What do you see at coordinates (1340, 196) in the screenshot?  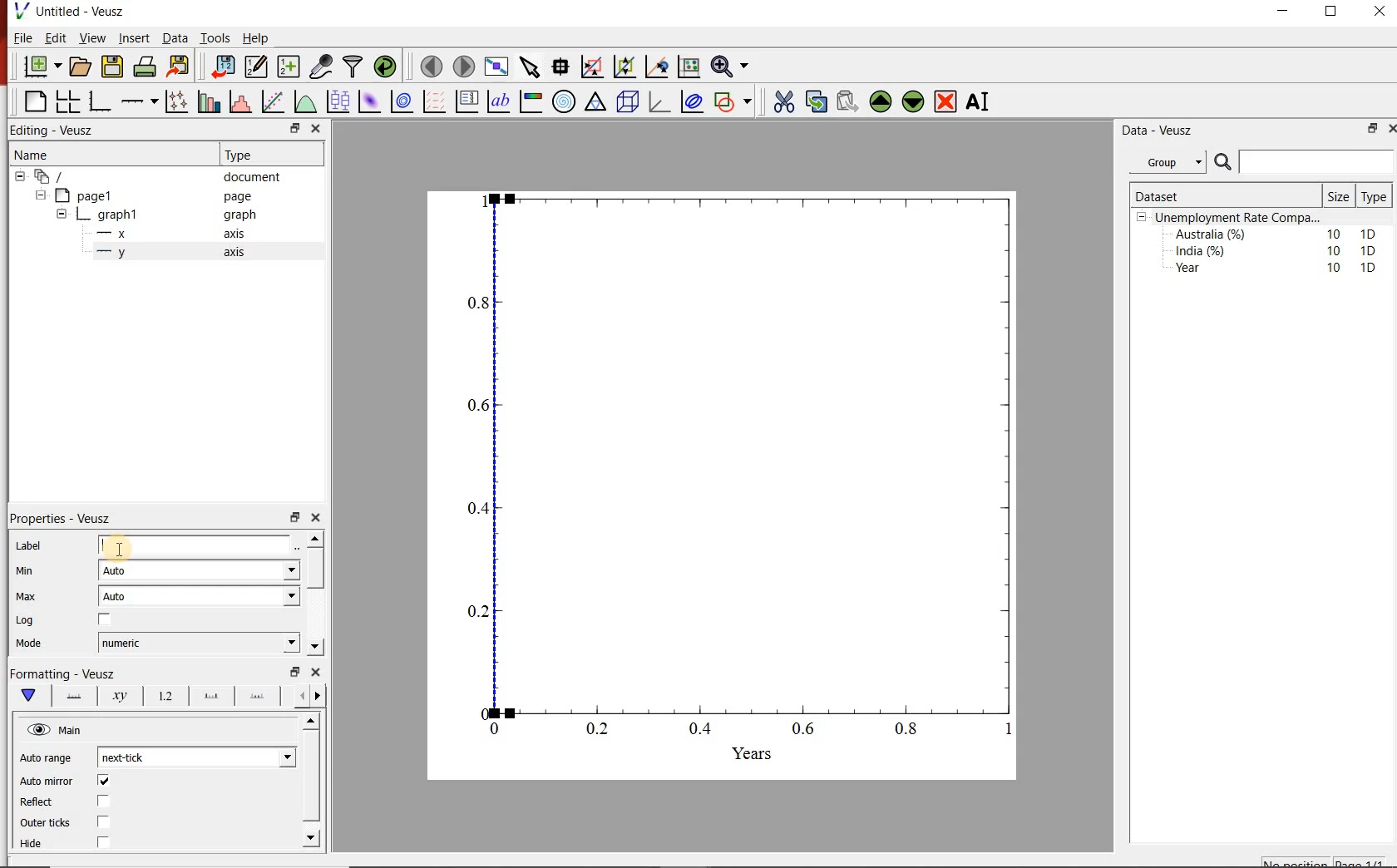 I see `Size` at bounding box center [1340, 196].